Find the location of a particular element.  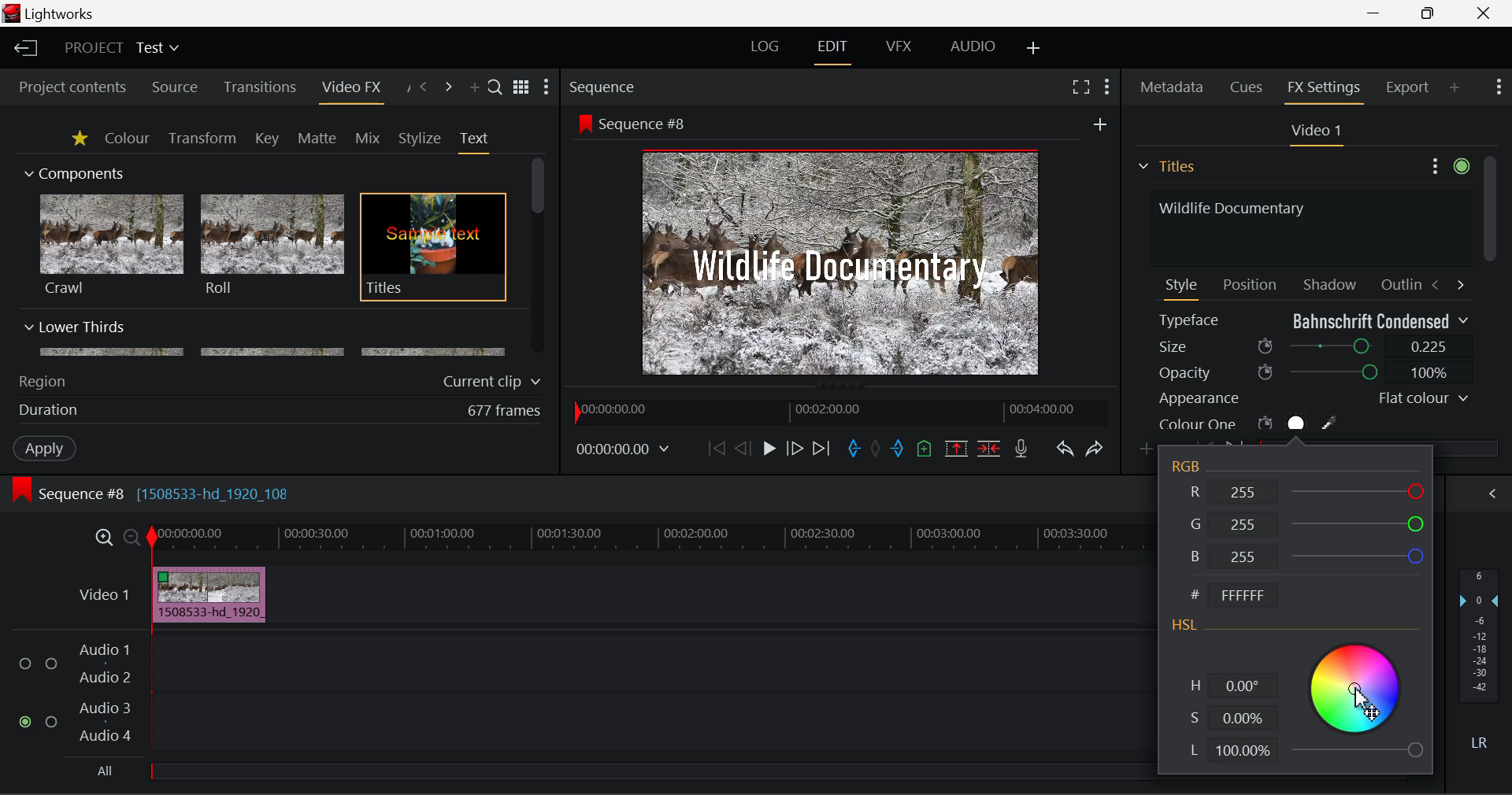

L is located at coordinates (1230, 752).